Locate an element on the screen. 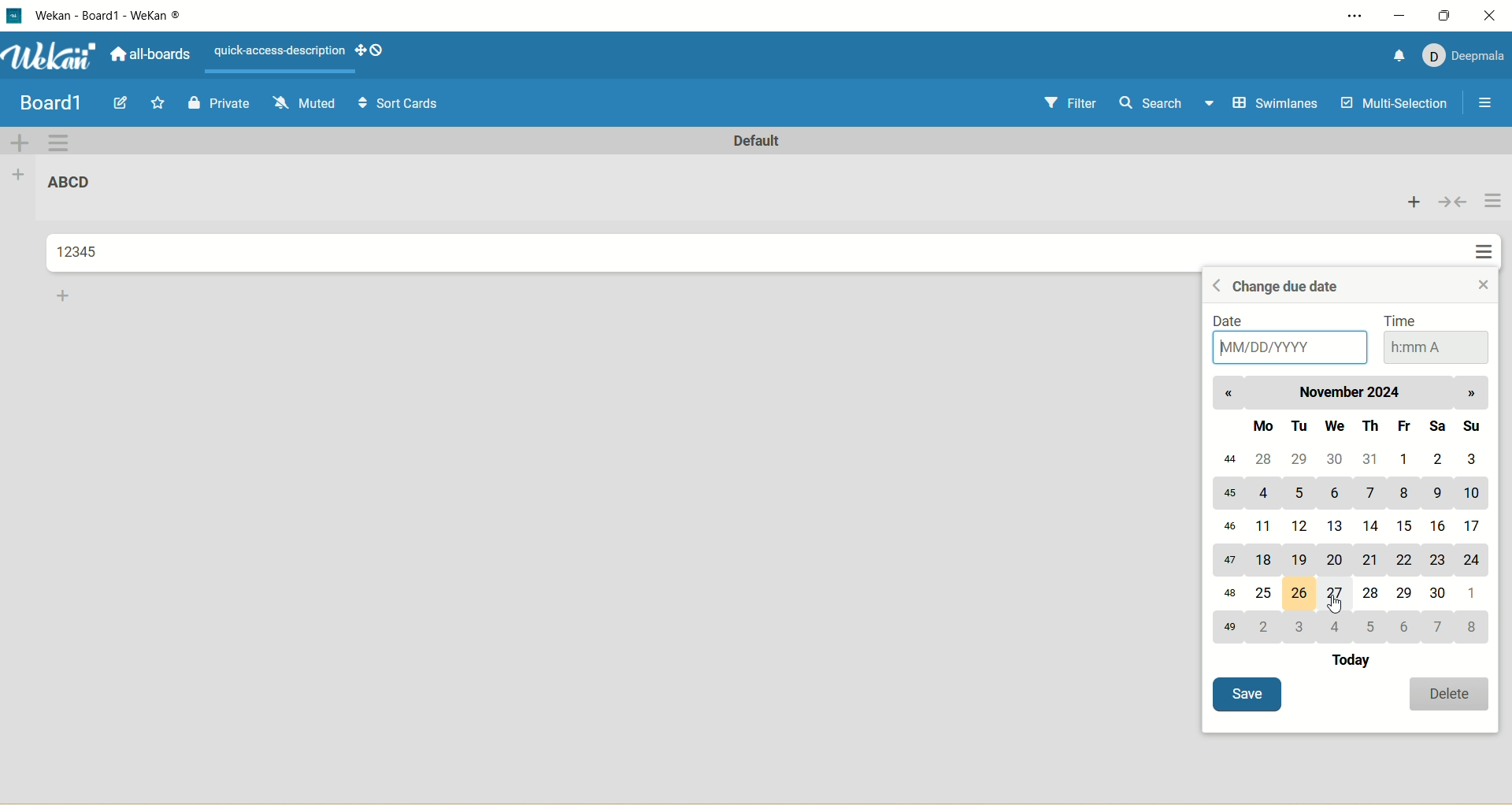 This screenshot has height=805, width=1512. open/close sidebar is located at coordinates (1488, 106).